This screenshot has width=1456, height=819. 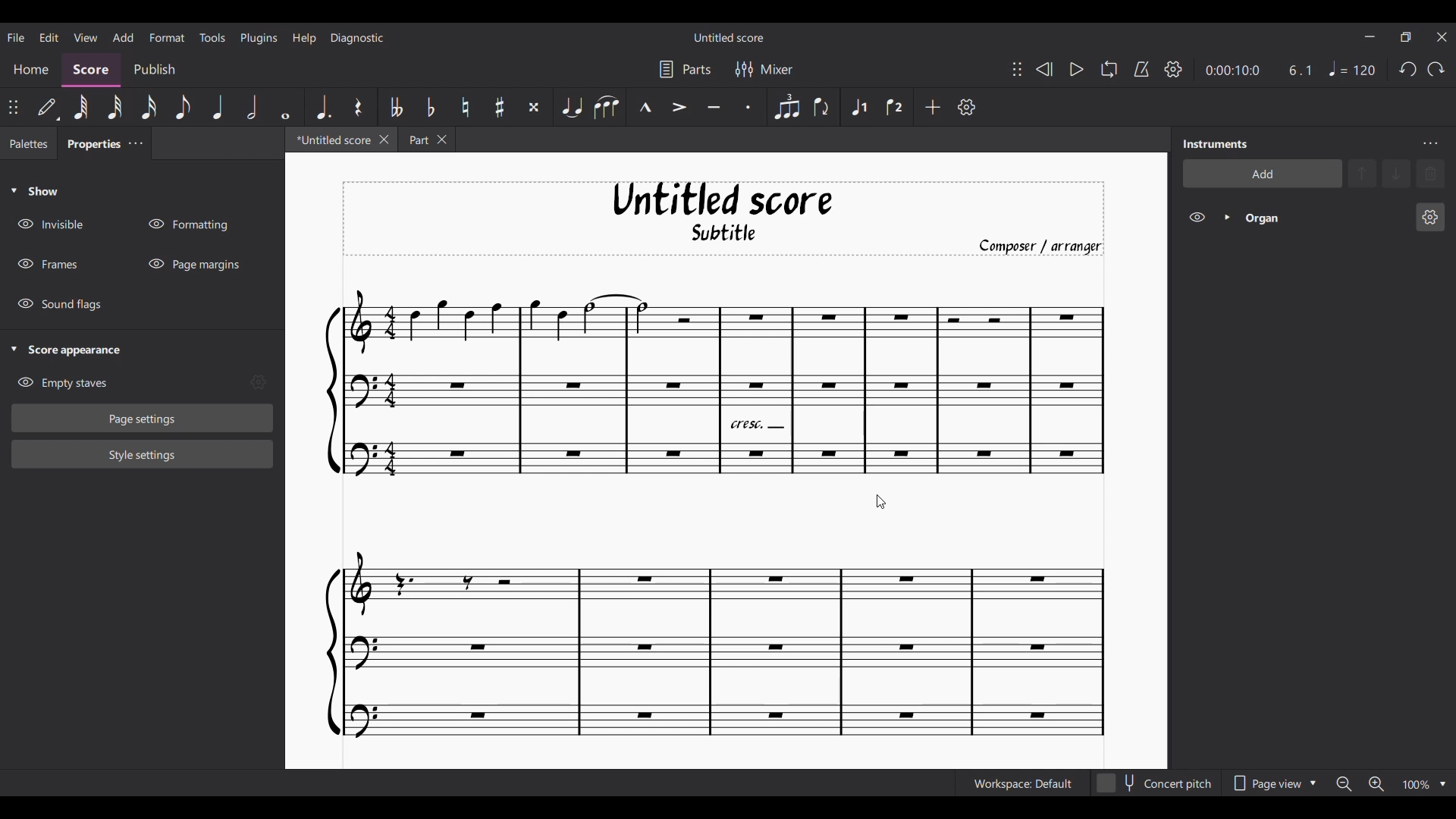 I want to click on Toggle for Concert pitch, so click(x=1153, y=783).